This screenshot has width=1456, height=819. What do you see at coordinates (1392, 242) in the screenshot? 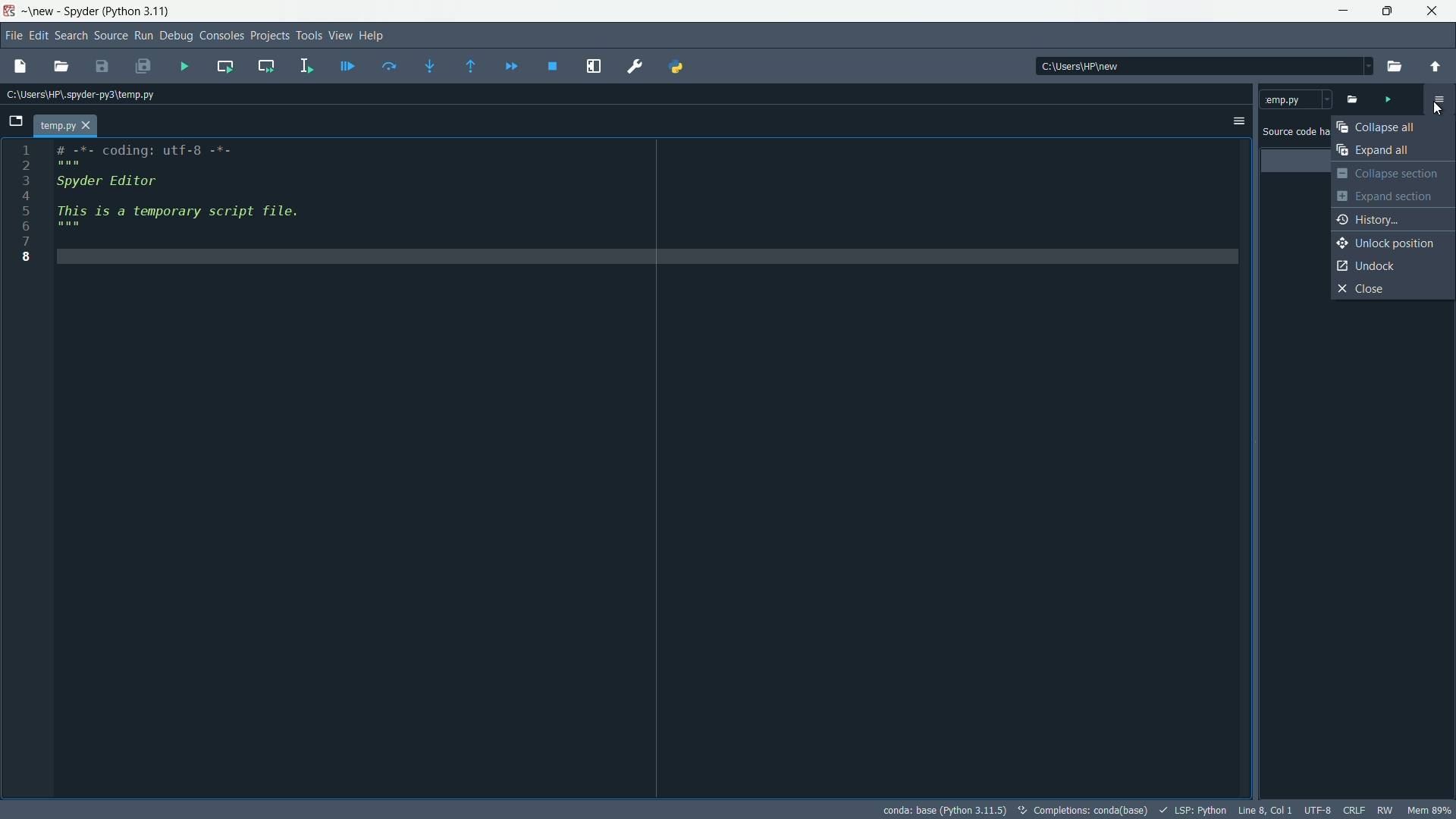
I see `unlock position` at bounding box center [1392, 242].